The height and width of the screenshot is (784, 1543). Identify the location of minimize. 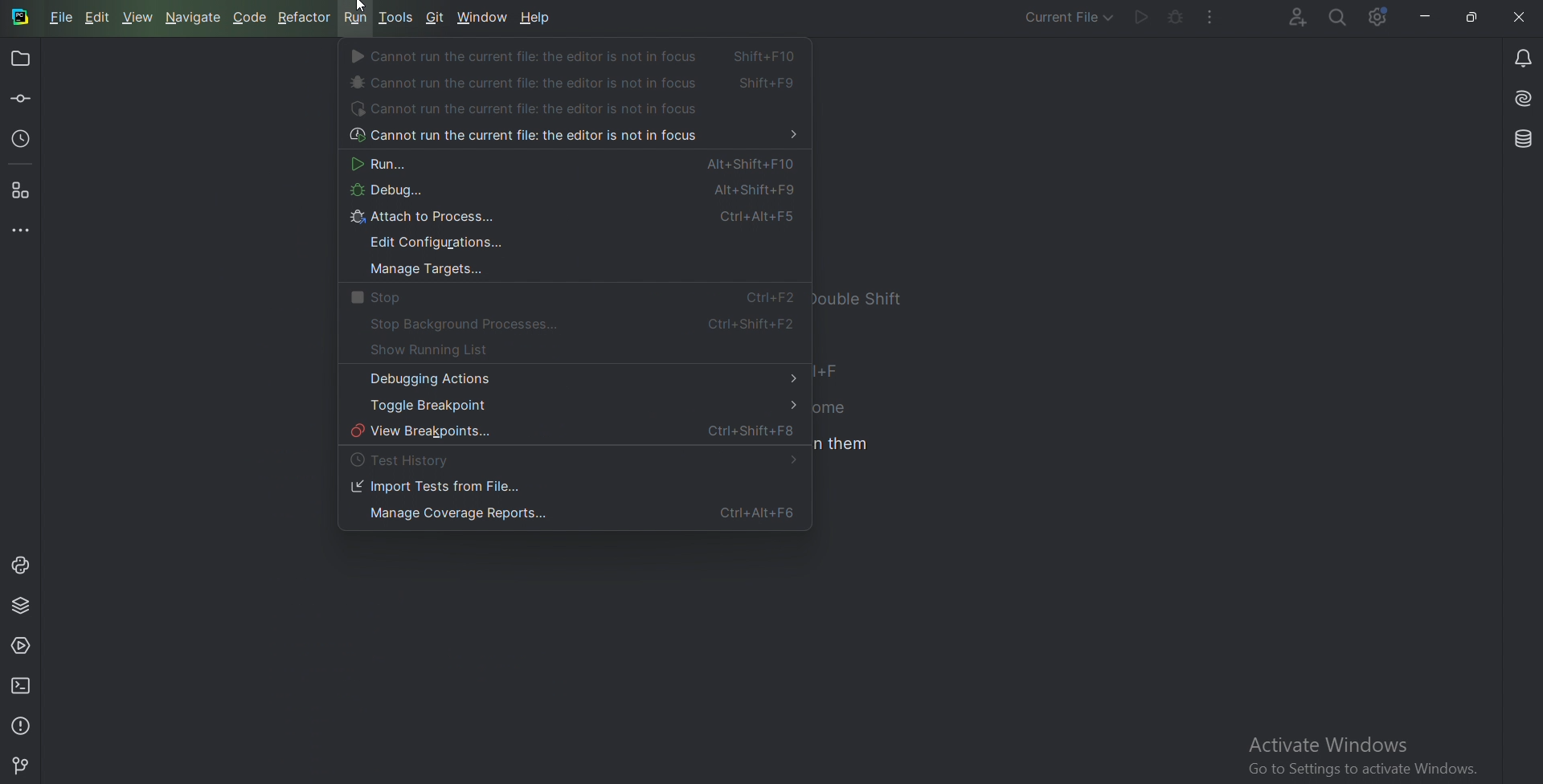
(1422, 17).